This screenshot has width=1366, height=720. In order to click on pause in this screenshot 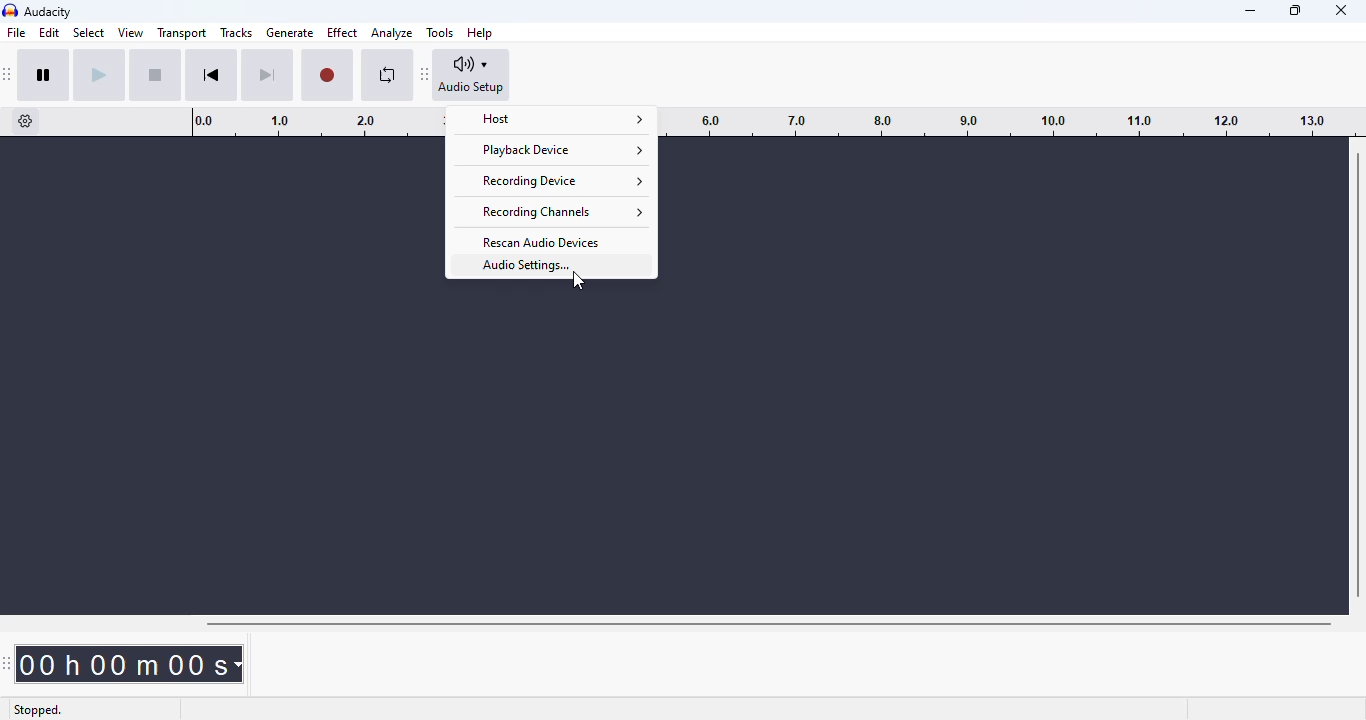, I will do `click(44, 75)`.